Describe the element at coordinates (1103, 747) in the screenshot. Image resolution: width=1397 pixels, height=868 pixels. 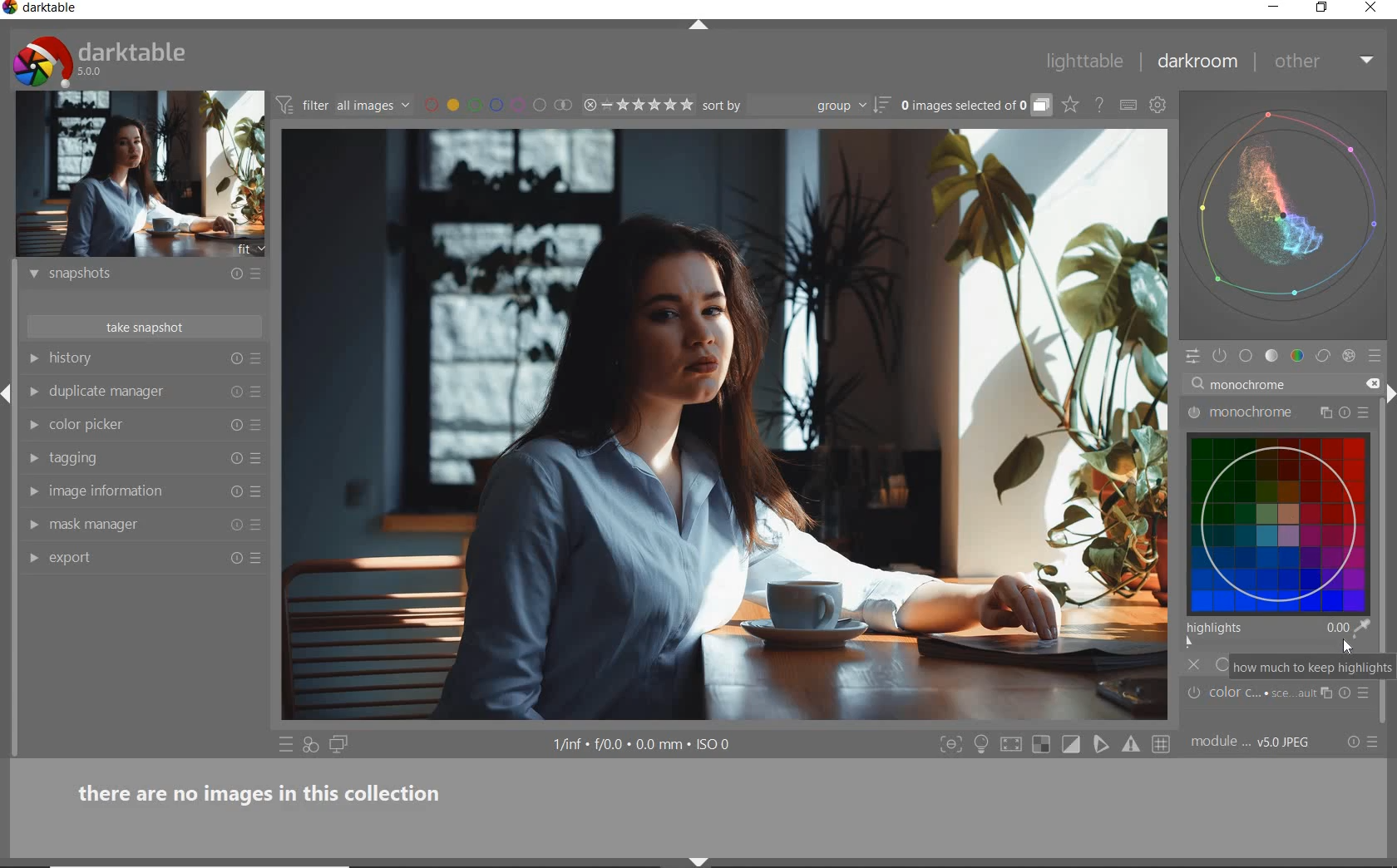
I see `toggle softproofing` at that location.